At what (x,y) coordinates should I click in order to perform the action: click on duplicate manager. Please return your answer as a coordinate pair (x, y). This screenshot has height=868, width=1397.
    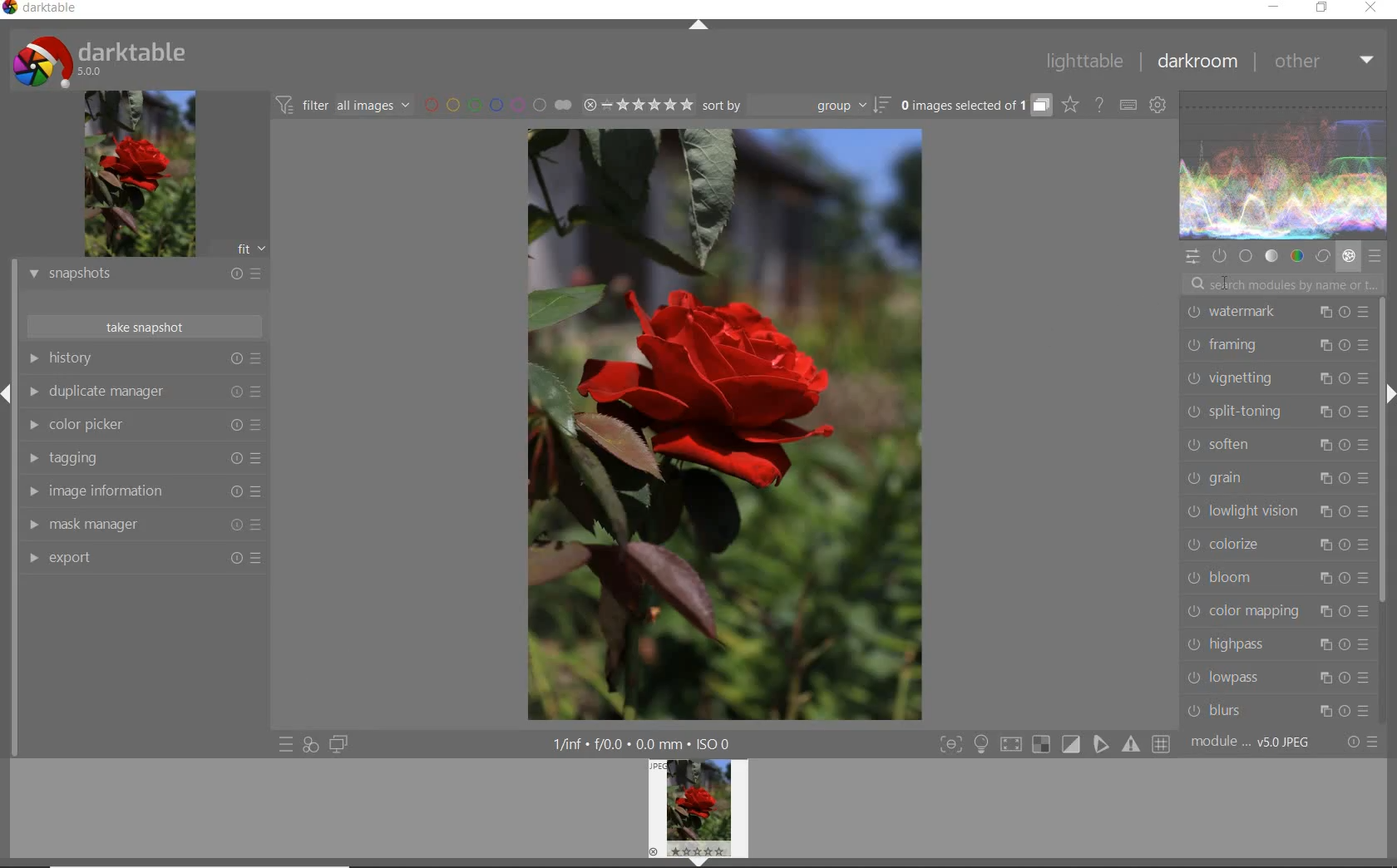
    Looking at the image, I should click on (143, 392).